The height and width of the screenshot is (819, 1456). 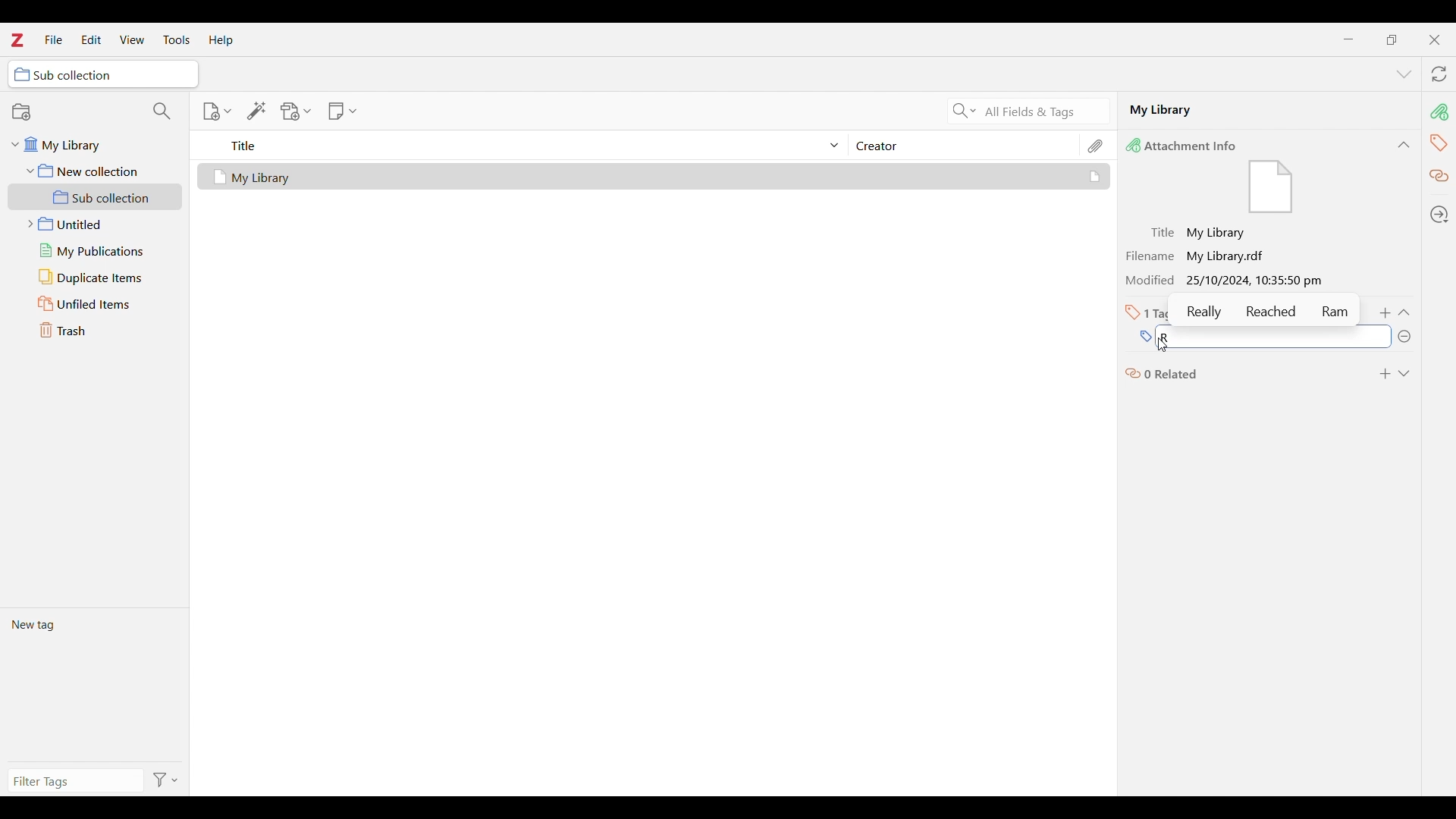 I want to click on Creator column, so click(x=963, y=145).